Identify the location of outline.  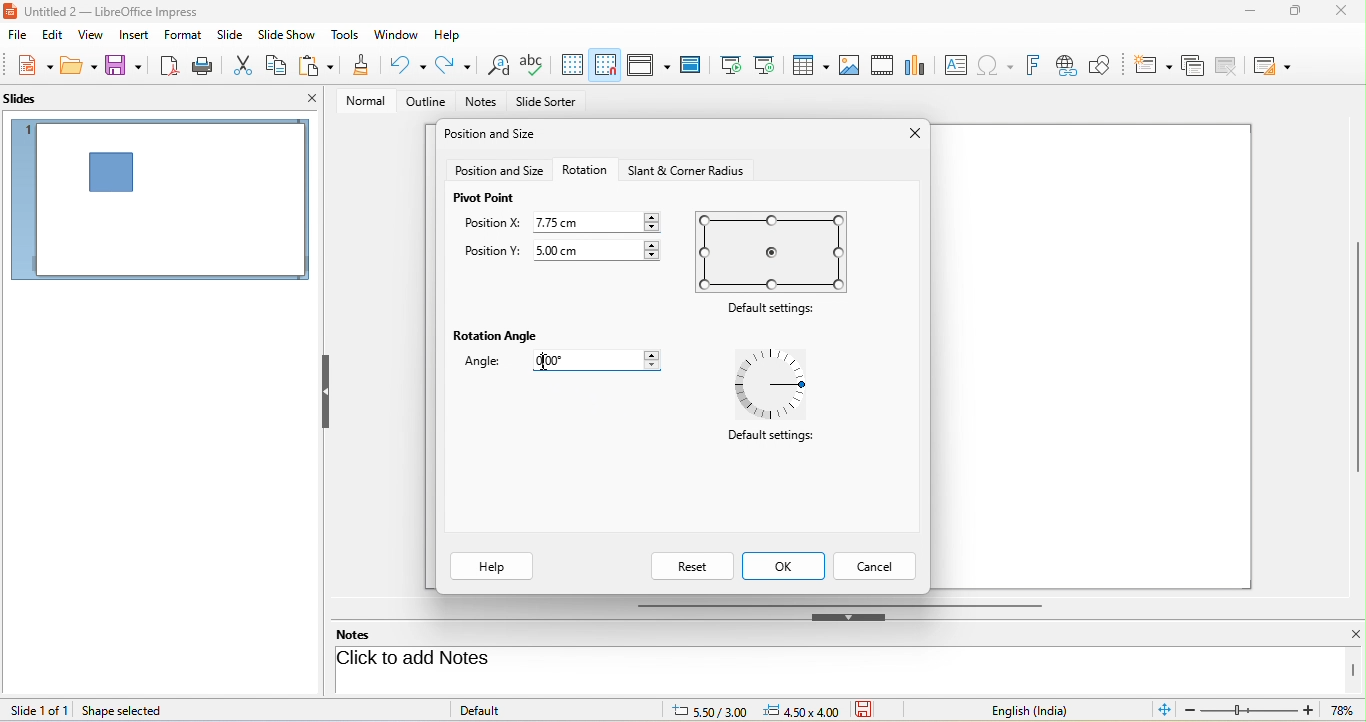
(422, 102).